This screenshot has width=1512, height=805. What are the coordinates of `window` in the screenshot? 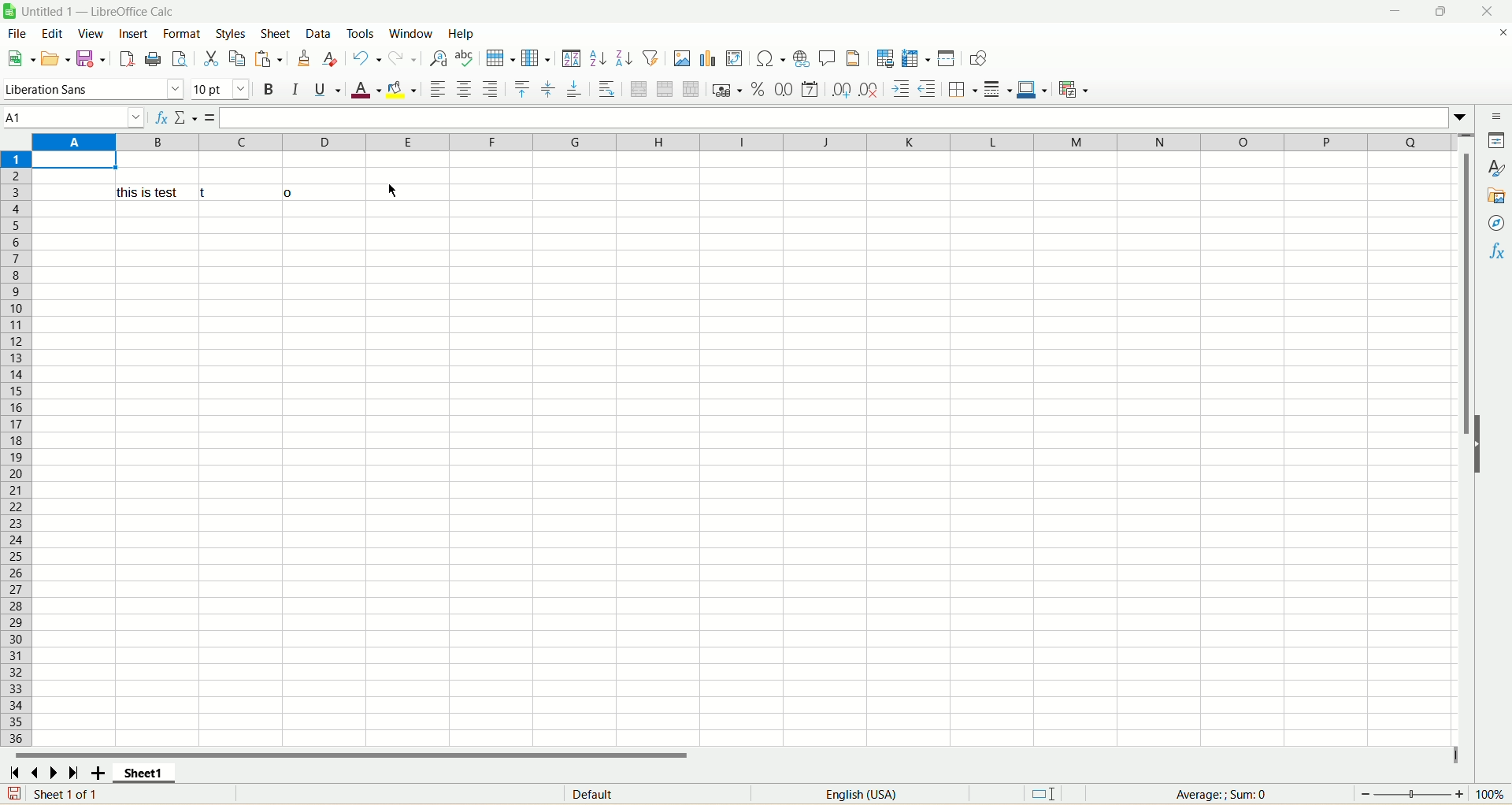 It's located at (407, 32).